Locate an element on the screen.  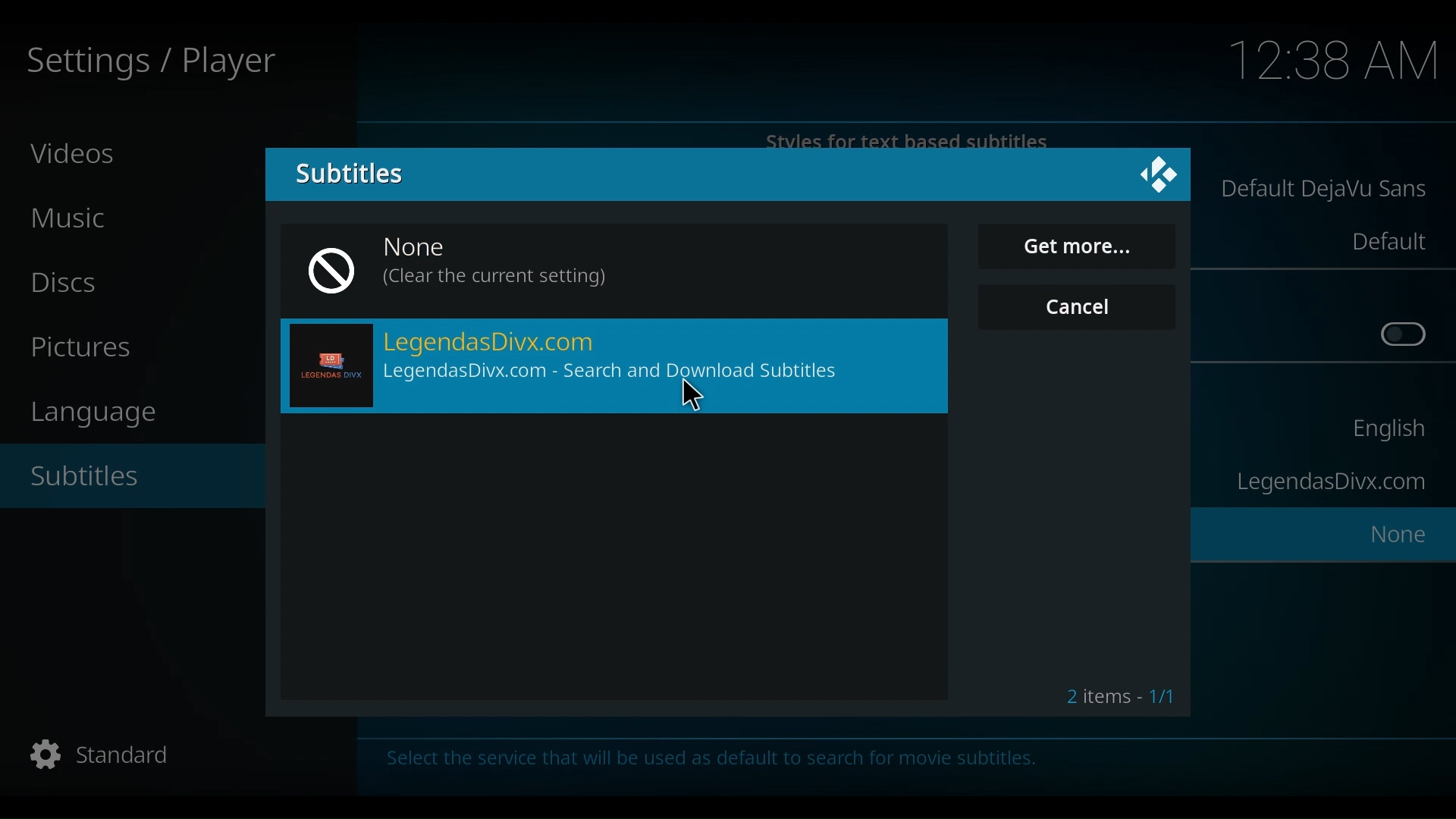
Cancel is located at coordinates (1080, 306).